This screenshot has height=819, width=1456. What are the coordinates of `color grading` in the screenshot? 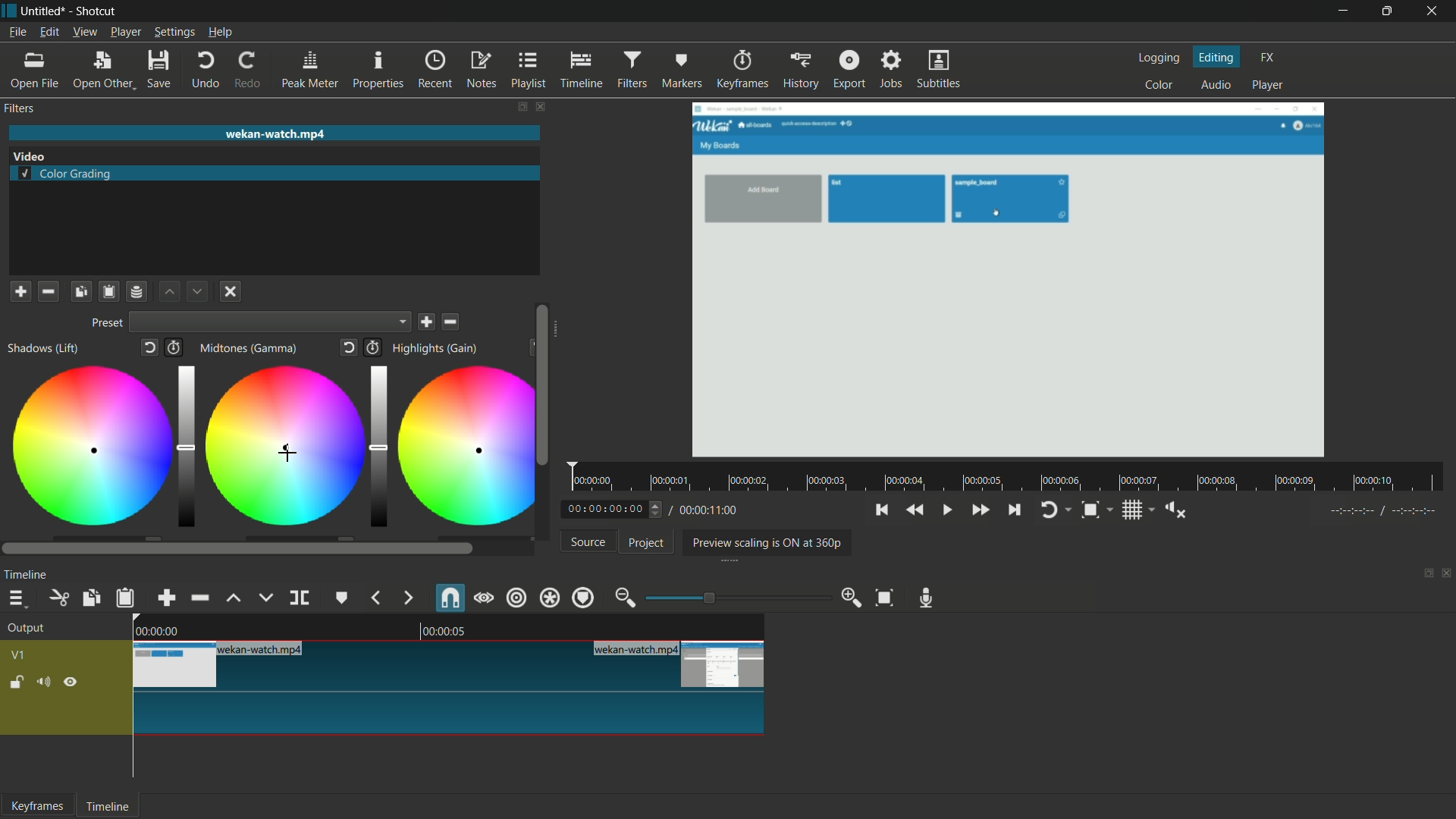 It's located at (29, 155).